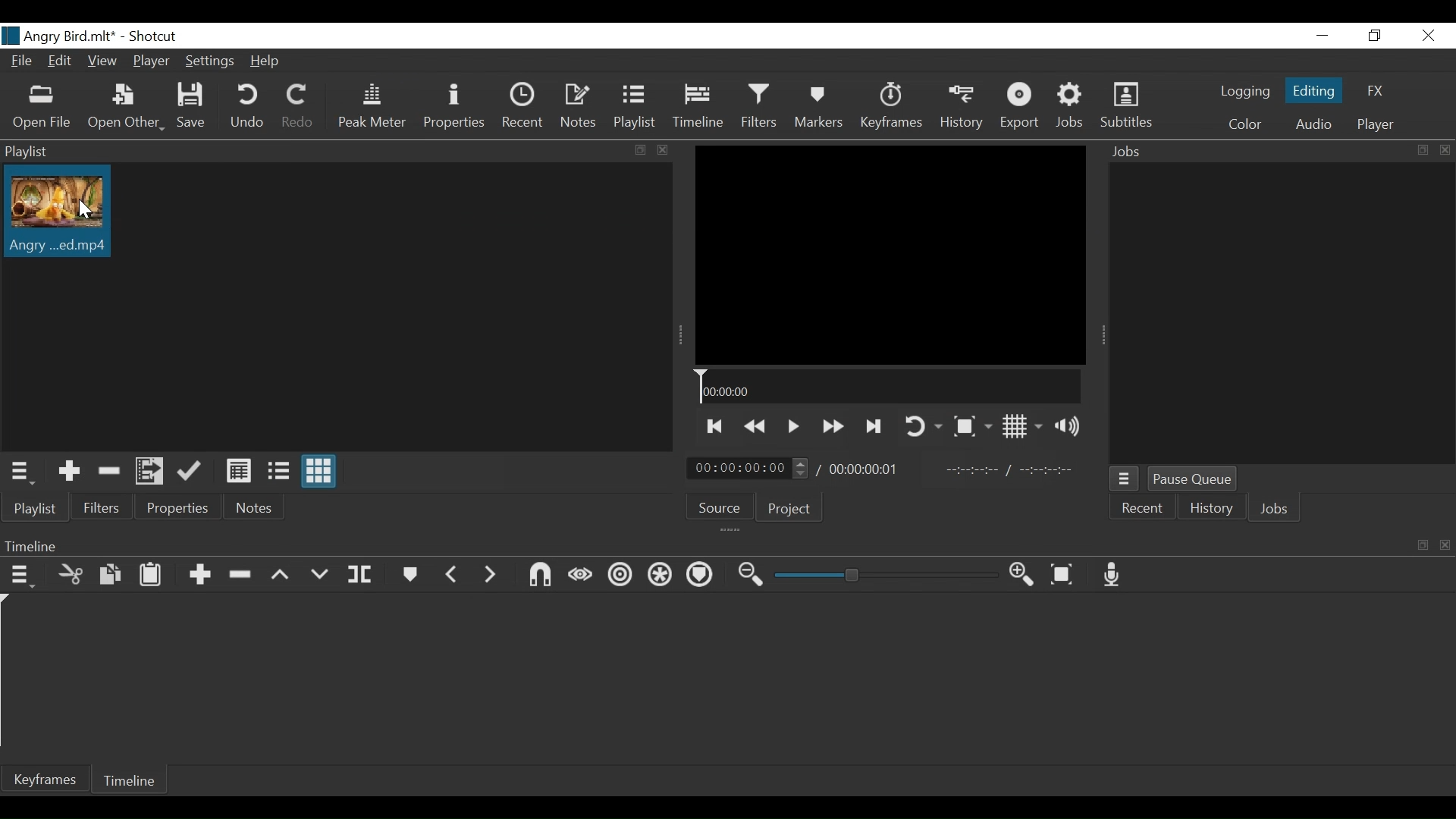 This screenshot has height=819, width=1456. What do you see at coordinates (1126, 105) in the screenshot?
I see `Subtitles` at bounding box center [1126, 105].